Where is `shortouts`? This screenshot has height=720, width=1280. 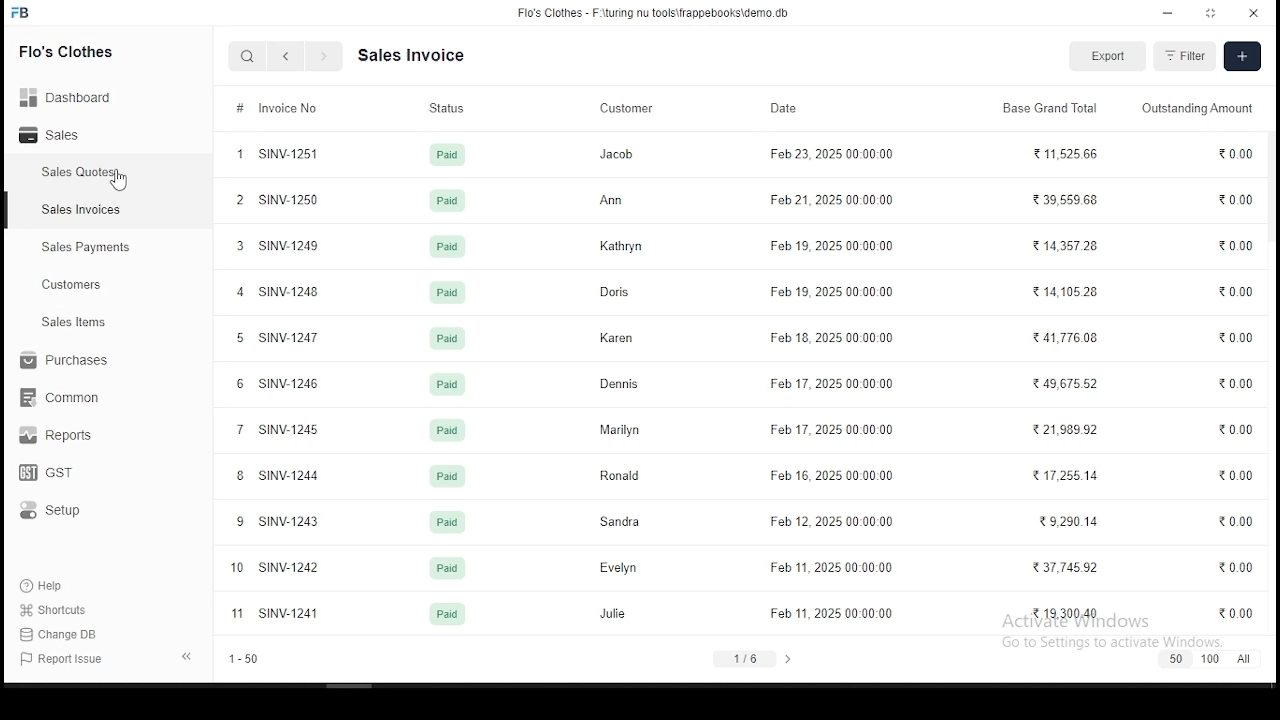
shortouts is located at coordinates (54, 610).